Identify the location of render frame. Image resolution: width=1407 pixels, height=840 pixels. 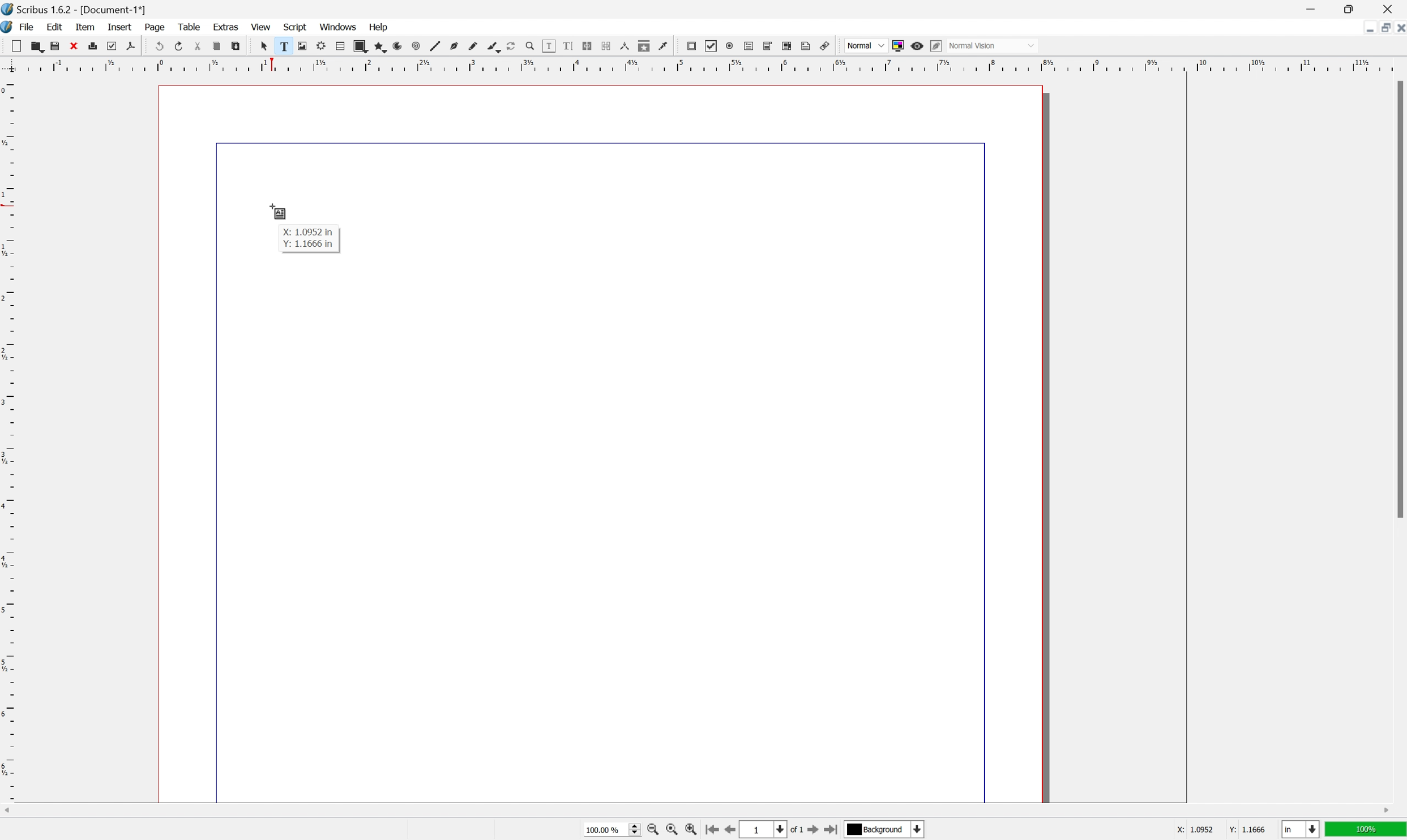
(320, 45).